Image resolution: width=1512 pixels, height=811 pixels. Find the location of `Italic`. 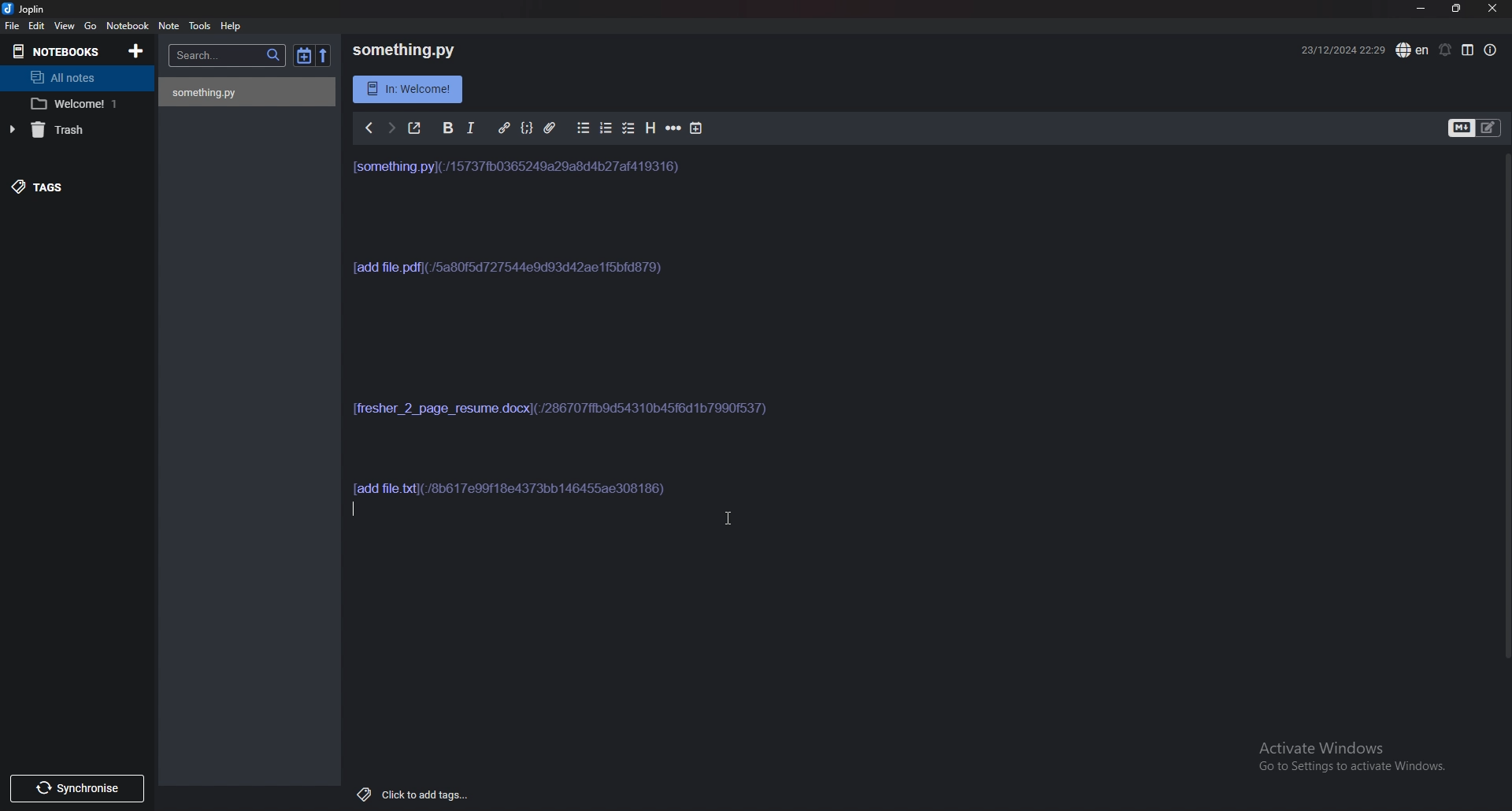

Italic is located at coordinates (469, 128).